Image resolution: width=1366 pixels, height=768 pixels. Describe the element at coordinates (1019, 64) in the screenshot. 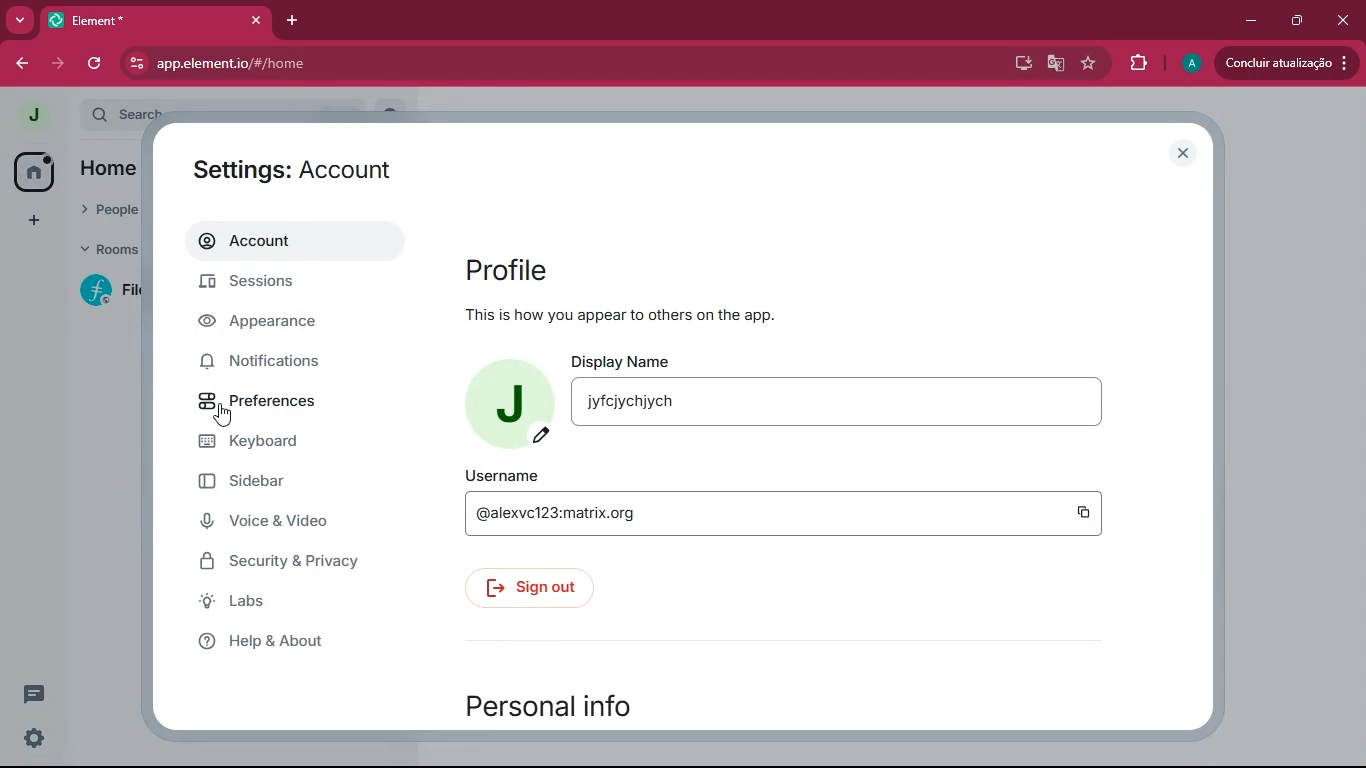

I see `desktop` at that location.